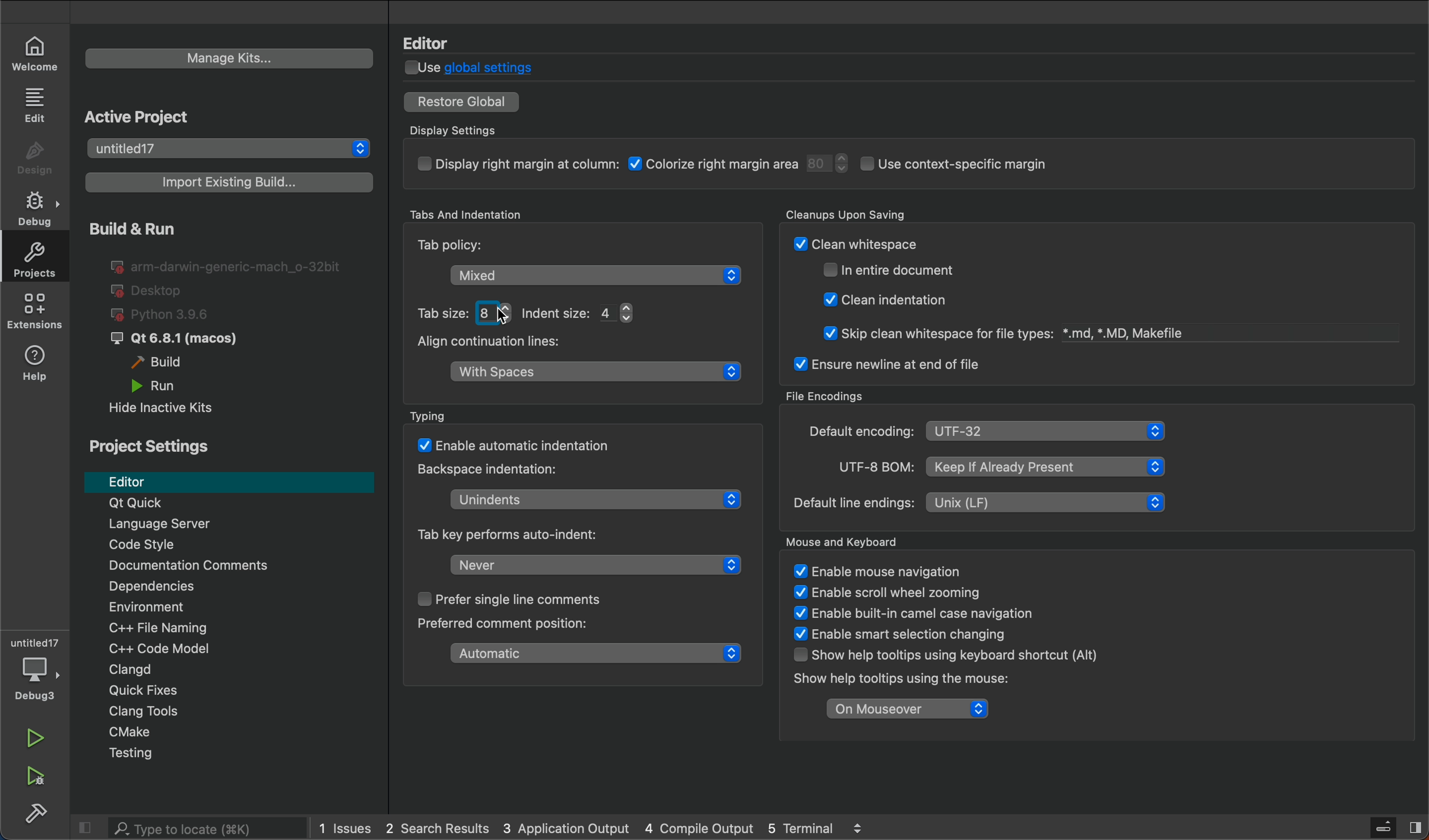 This screenshot has width=1429, height=840. I want to click on Dependencies , so click(245, 588).